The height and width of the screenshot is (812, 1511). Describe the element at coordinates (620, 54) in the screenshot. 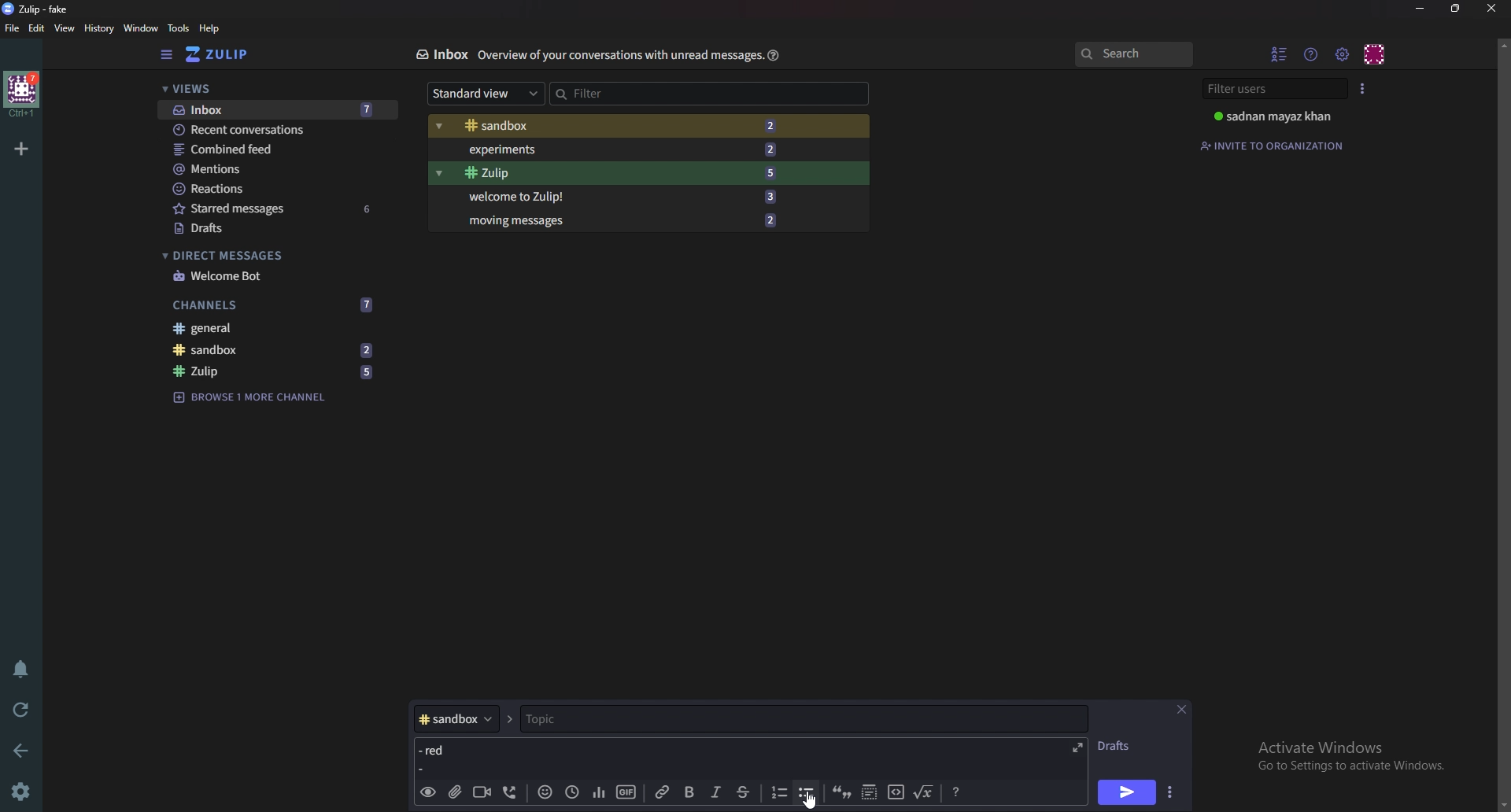

I see `Info` at that location.